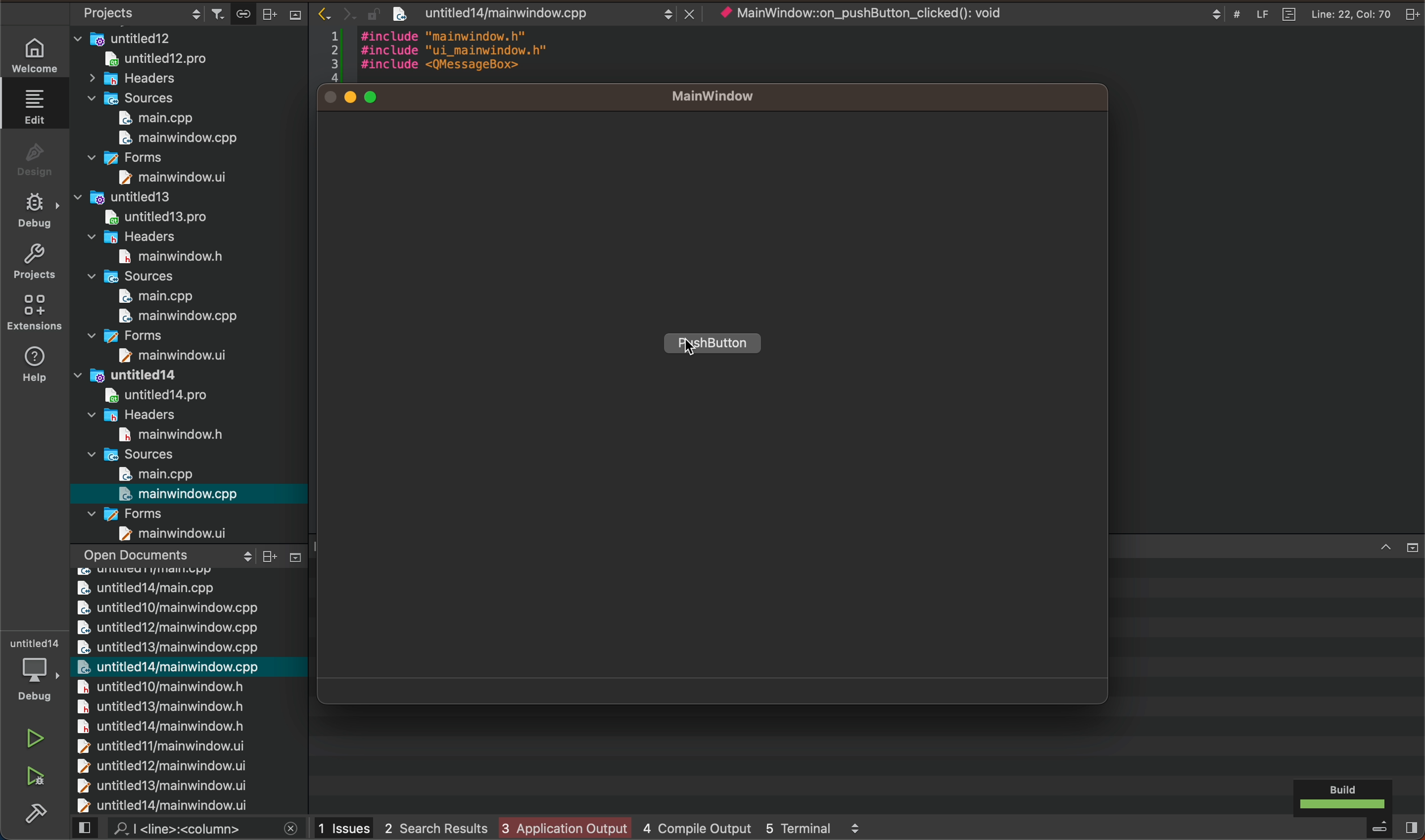 The image size is (1425, 840). What do you see at coordinates (37, 673) in the screenshot?
I see `debugger` at bounding box center [37, 673].